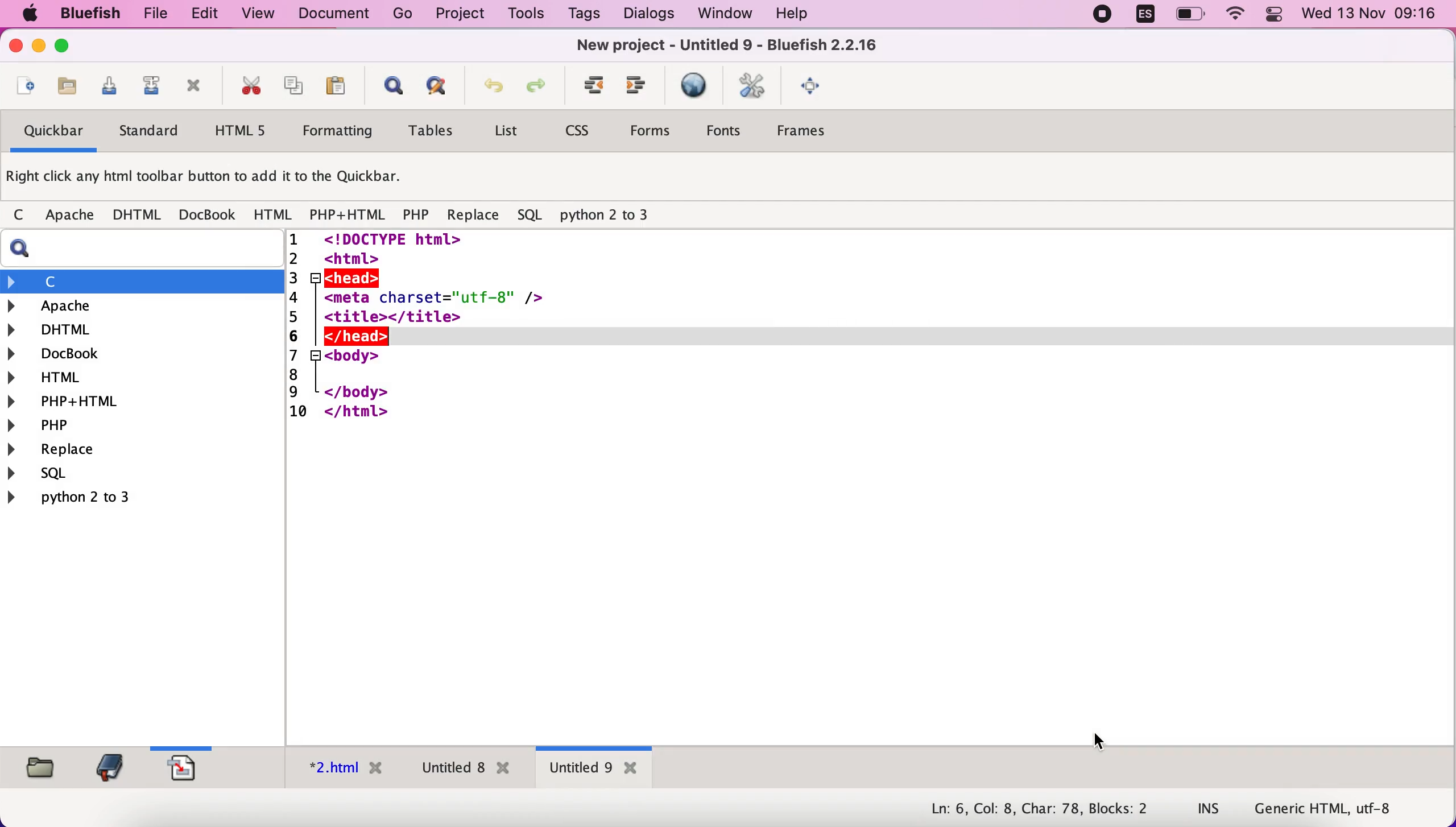 This screenshot has height=827, width=1456. I want to click on time and date, so click(1371, 15).